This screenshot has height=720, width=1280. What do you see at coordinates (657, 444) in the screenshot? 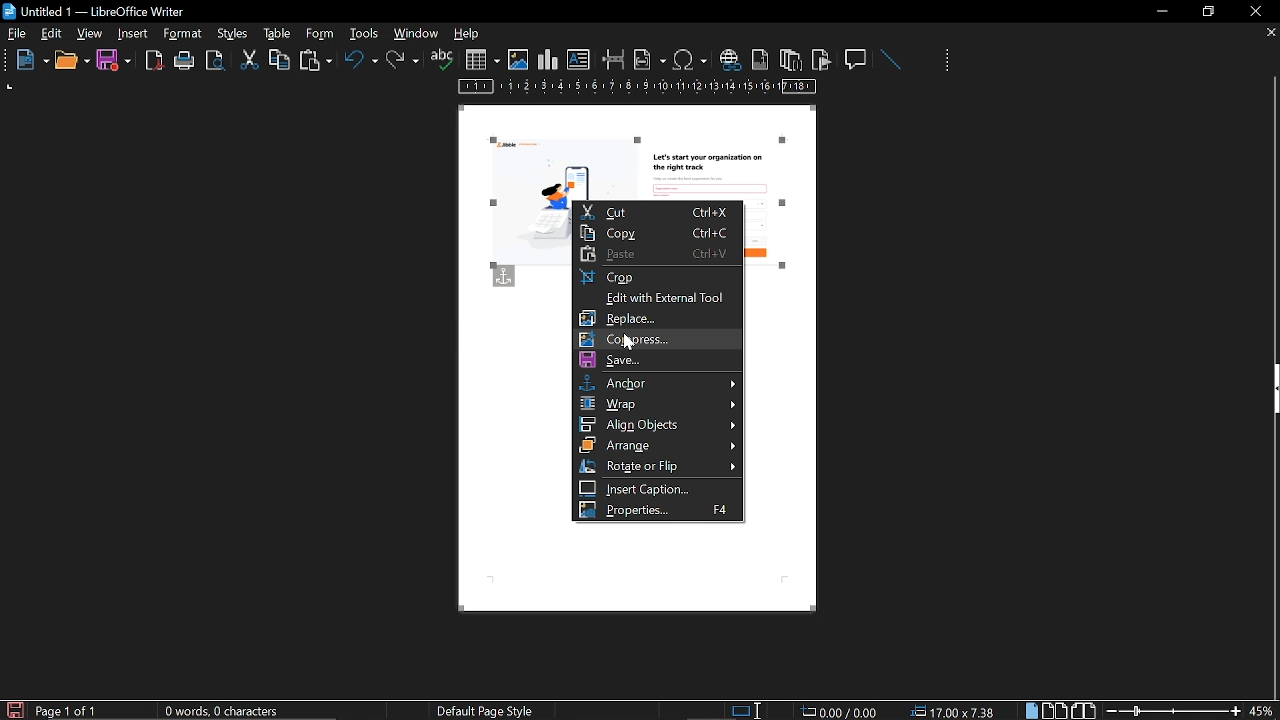
I see `arrange` at bounding box center [657, 444].